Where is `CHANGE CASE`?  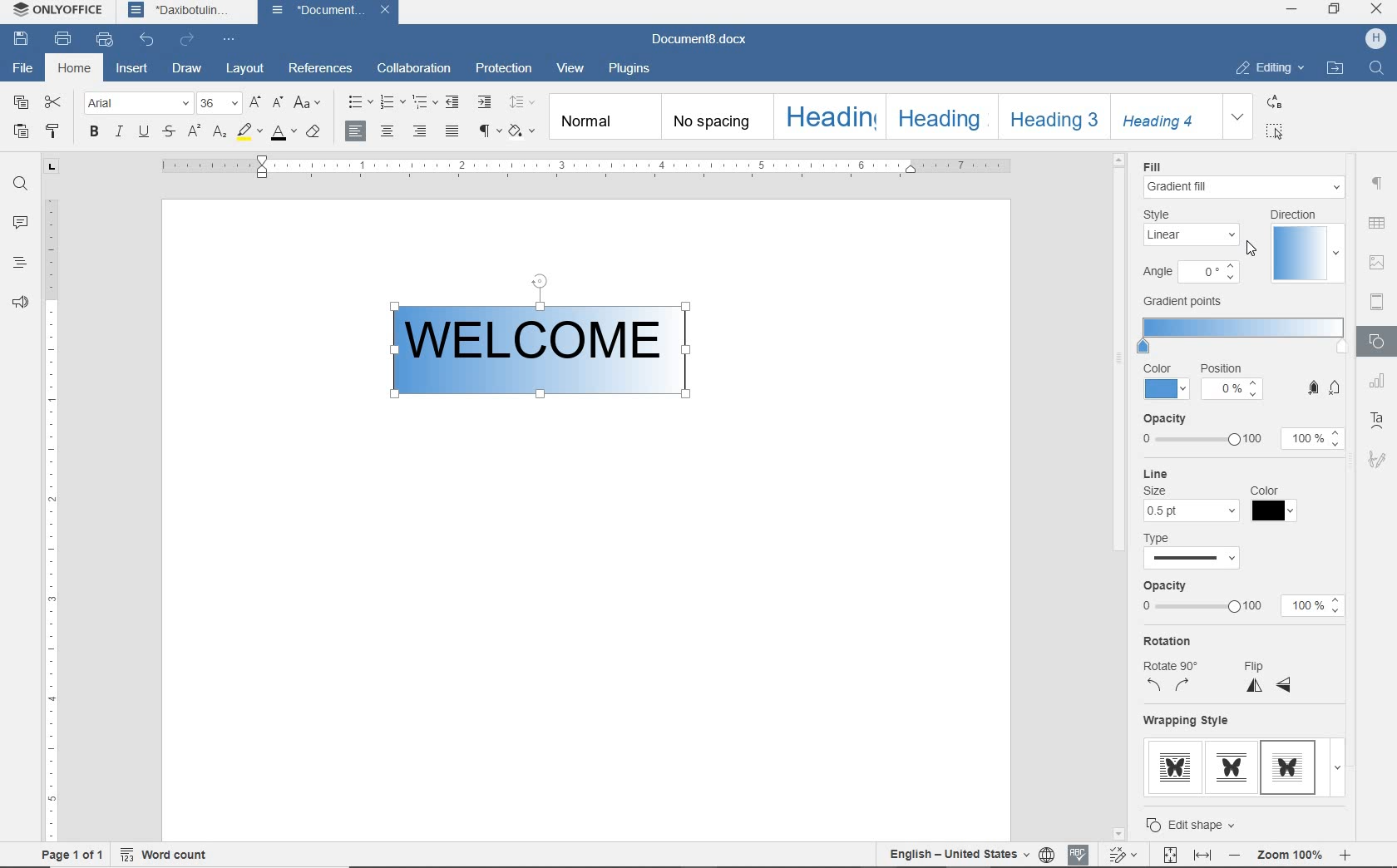 CHANGE CASE is located at coordinates (309, 103).